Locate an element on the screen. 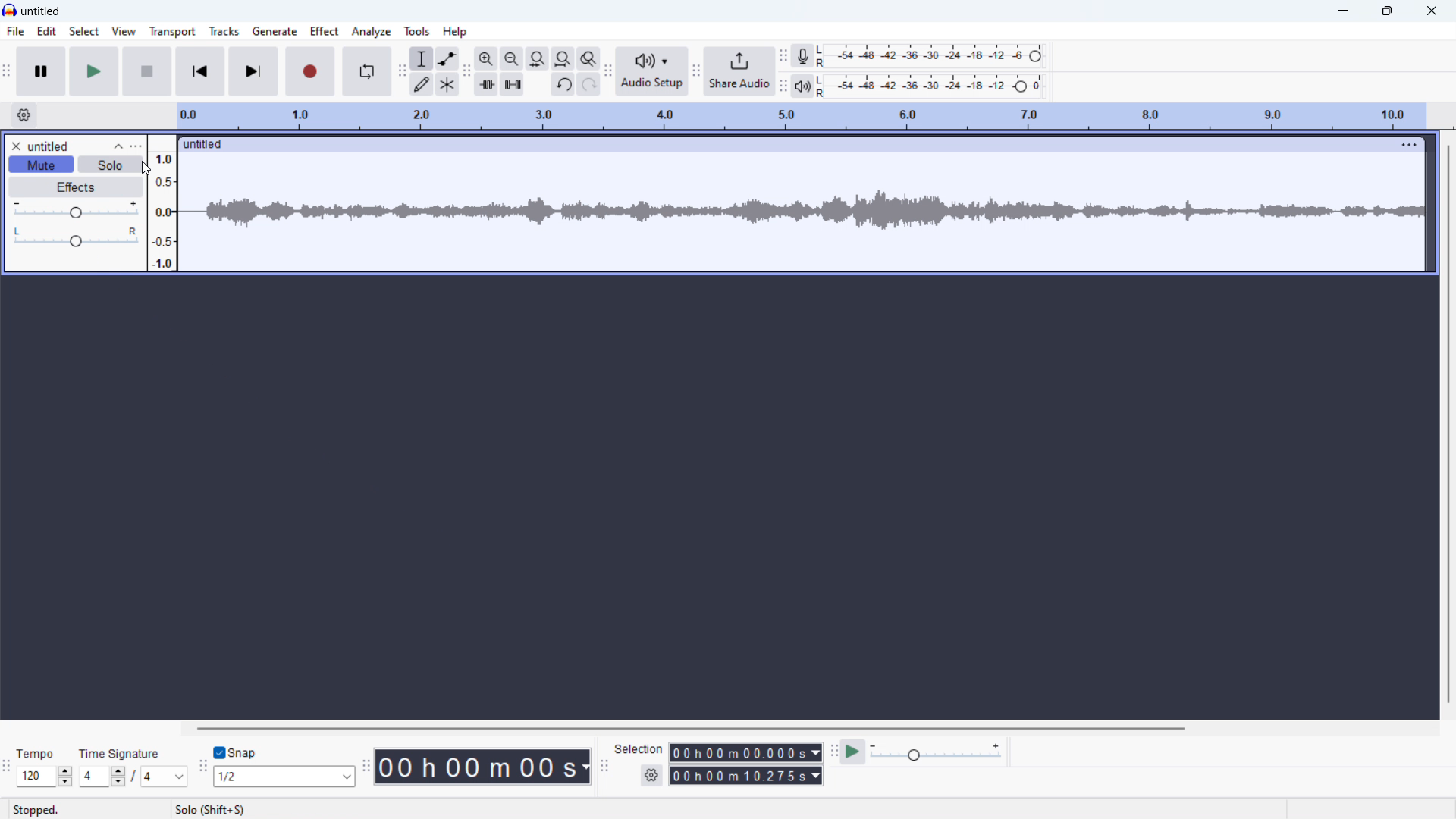 Image resolution: width=1456 pixels, height=819 pixels. recording meter is located at coordinates (804, 56).